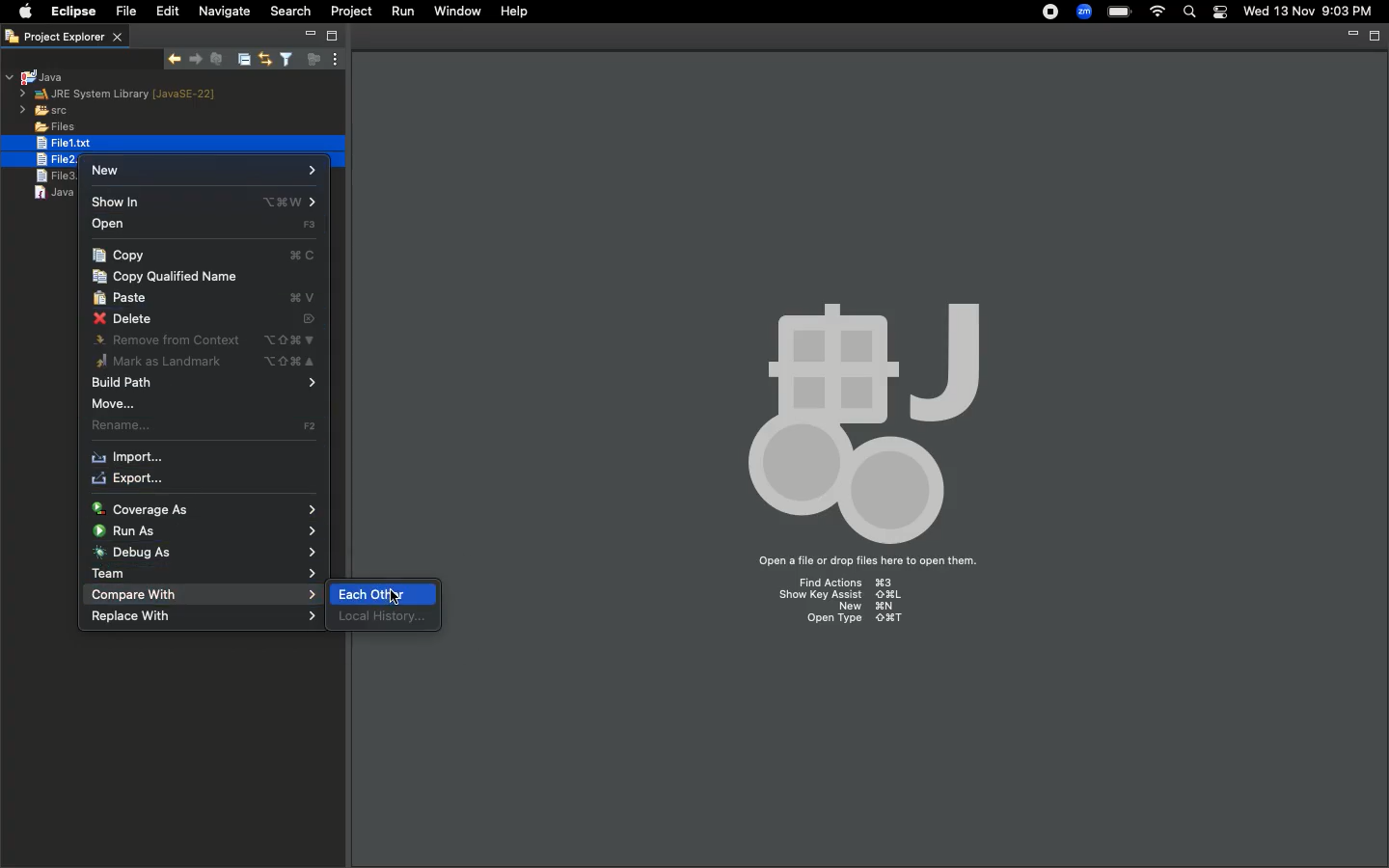  I want to click on Copy qualified name, so click(164, 277).